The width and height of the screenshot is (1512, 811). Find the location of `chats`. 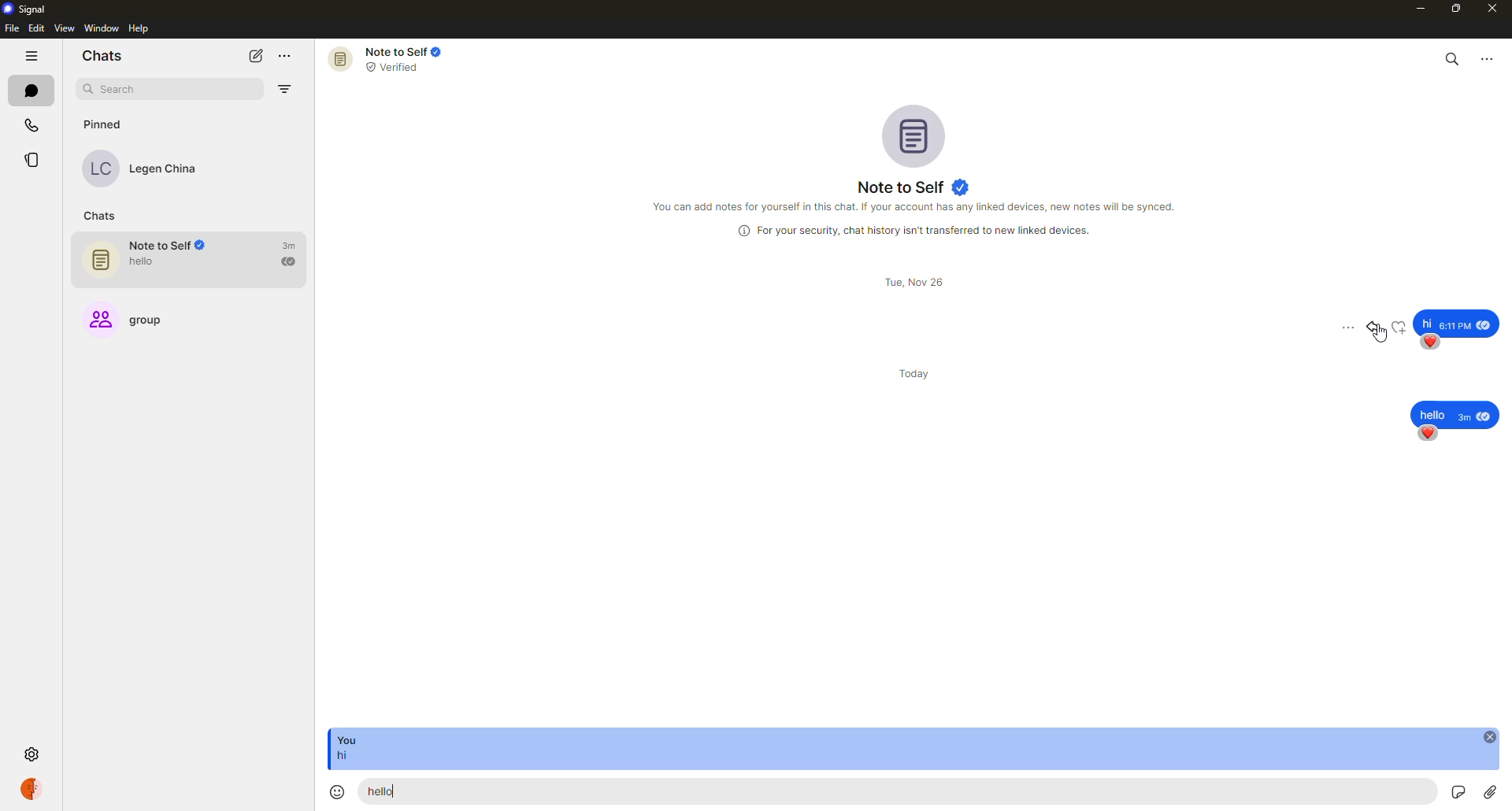

chats is located at coordinates (99, 215).